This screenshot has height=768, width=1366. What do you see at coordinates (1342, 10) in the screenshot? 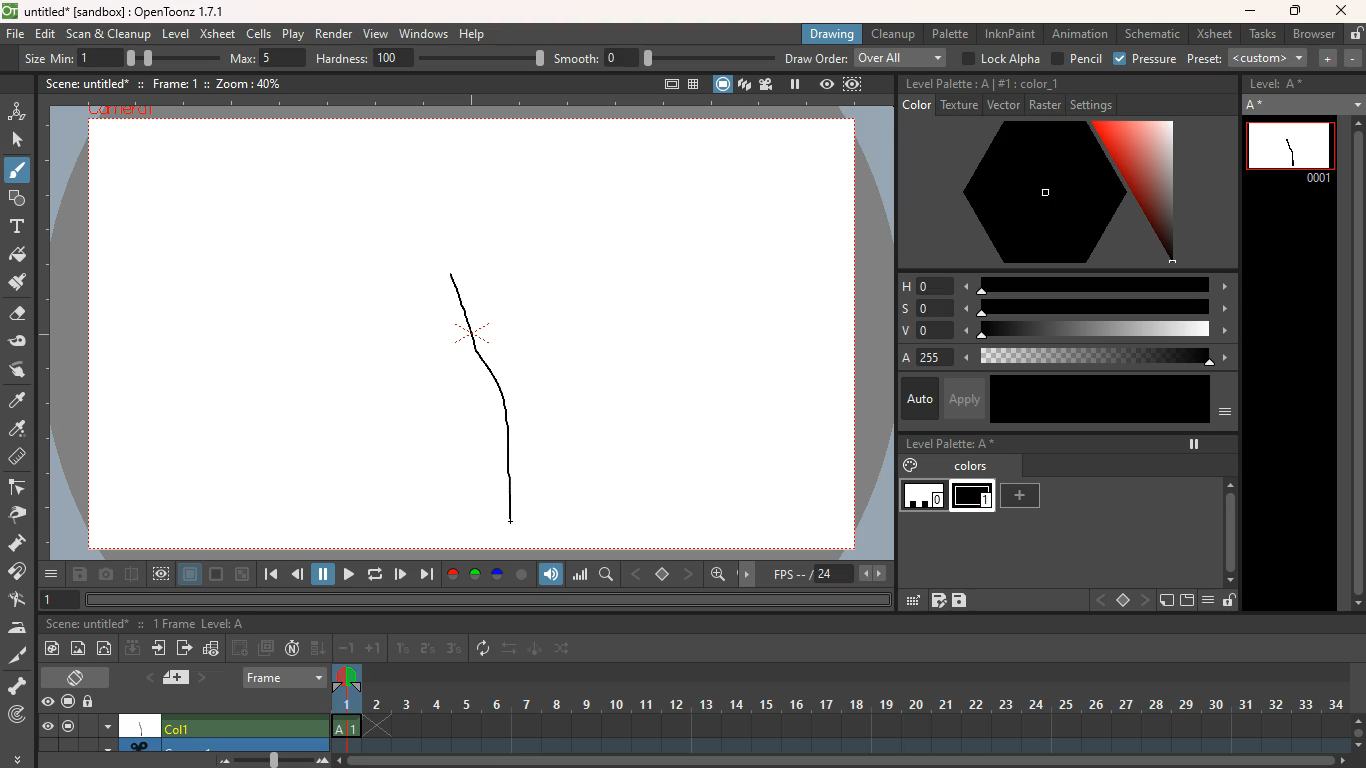
I see `close` at bounding box center [1342, 10].